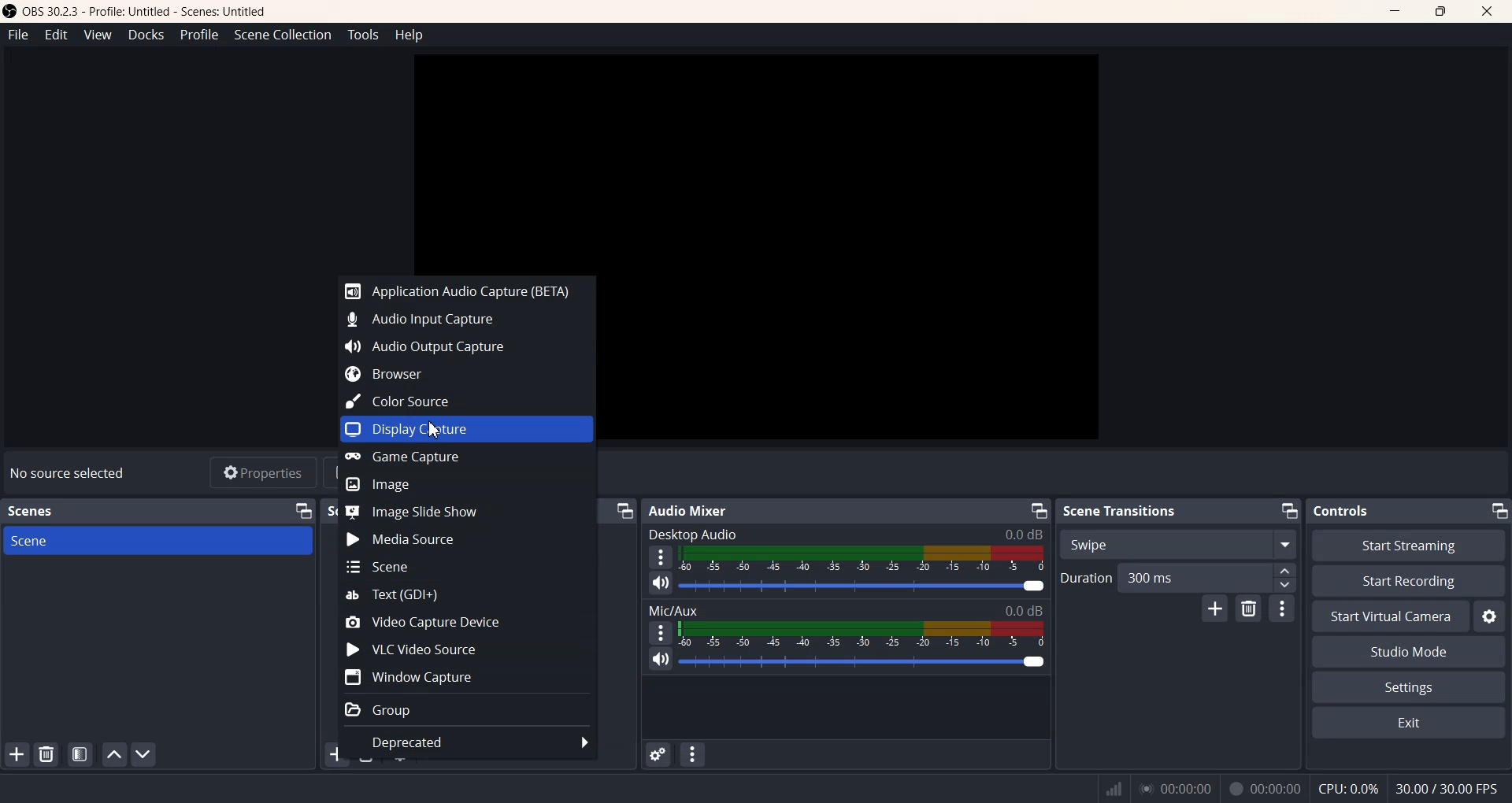 The width and height of the screenshot is (1512, 803). Describe the element at coordinates (199, 35) in the screenshot. I see `Profile` at that location.